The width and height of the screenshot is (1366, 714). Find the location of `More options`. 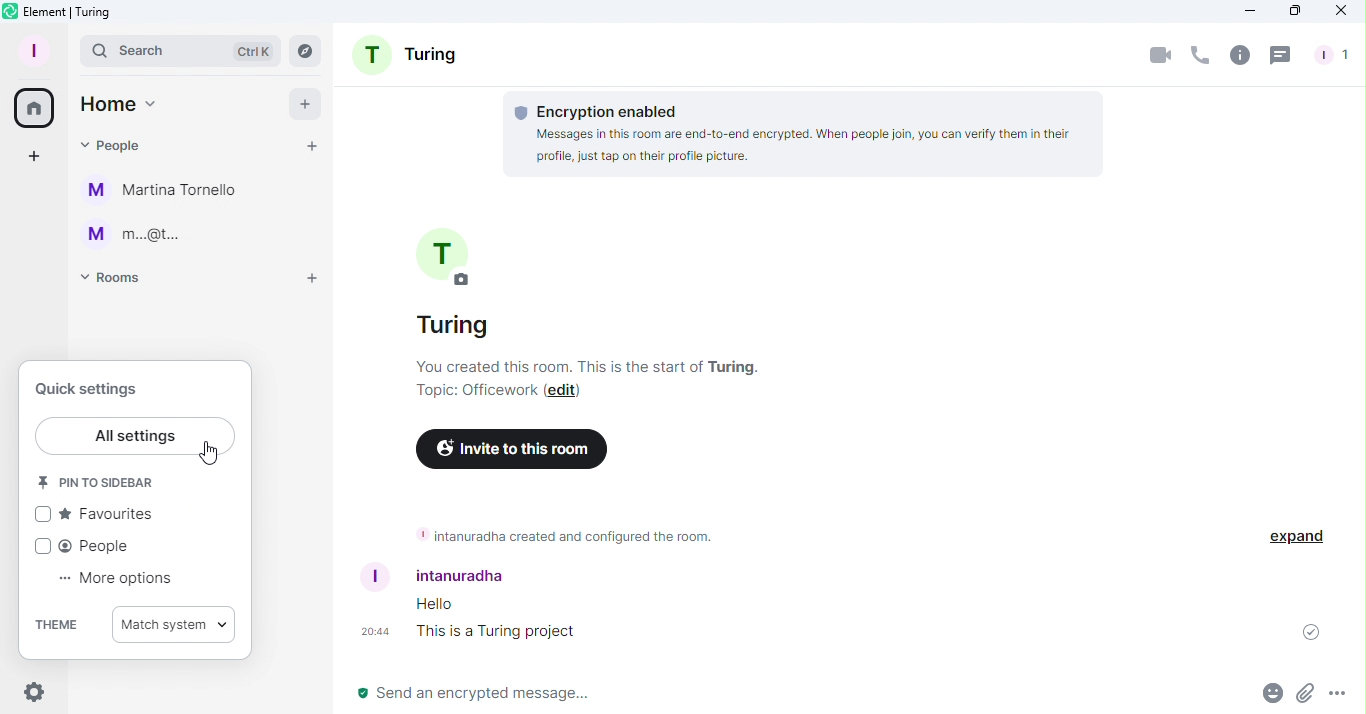

More options is located at coordinates (133, 579).